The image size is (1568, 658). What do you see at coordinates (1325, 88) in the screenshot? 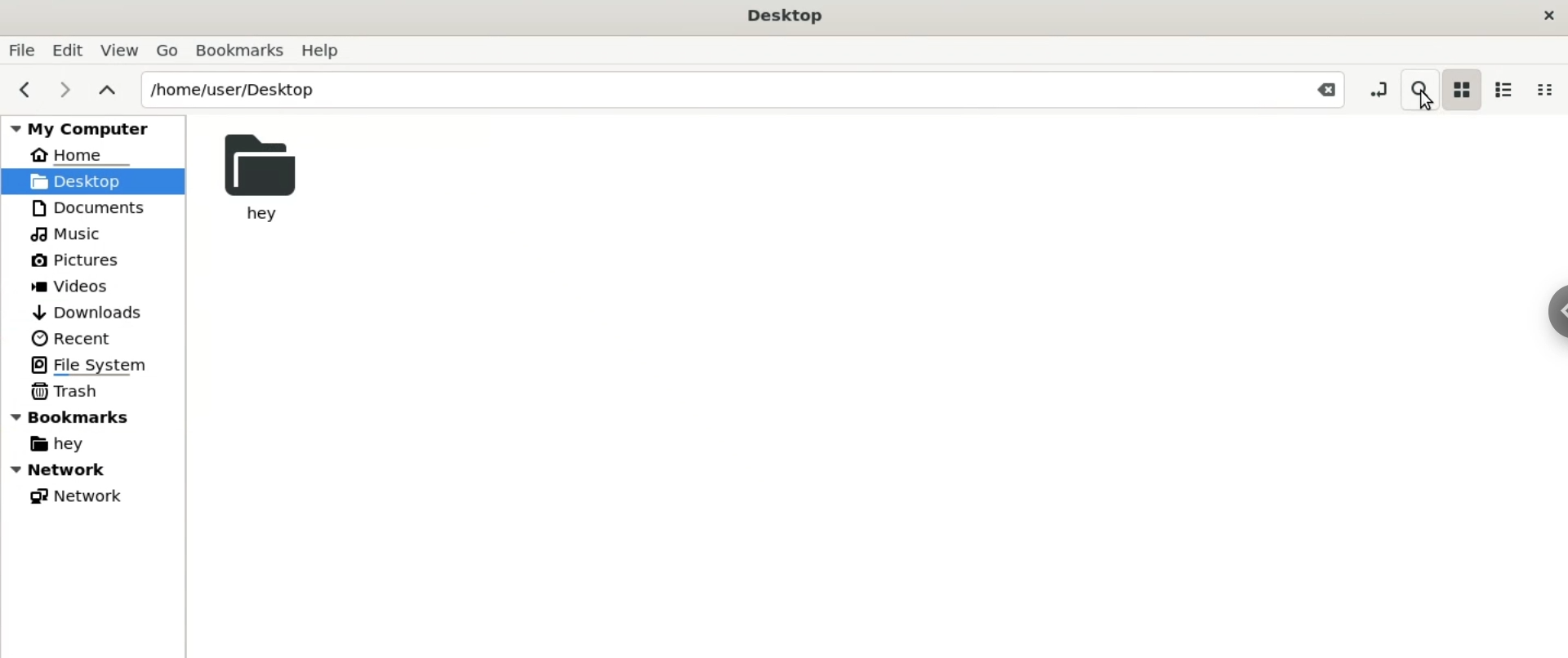
I see `Close` at bounding box center [1325, 88].